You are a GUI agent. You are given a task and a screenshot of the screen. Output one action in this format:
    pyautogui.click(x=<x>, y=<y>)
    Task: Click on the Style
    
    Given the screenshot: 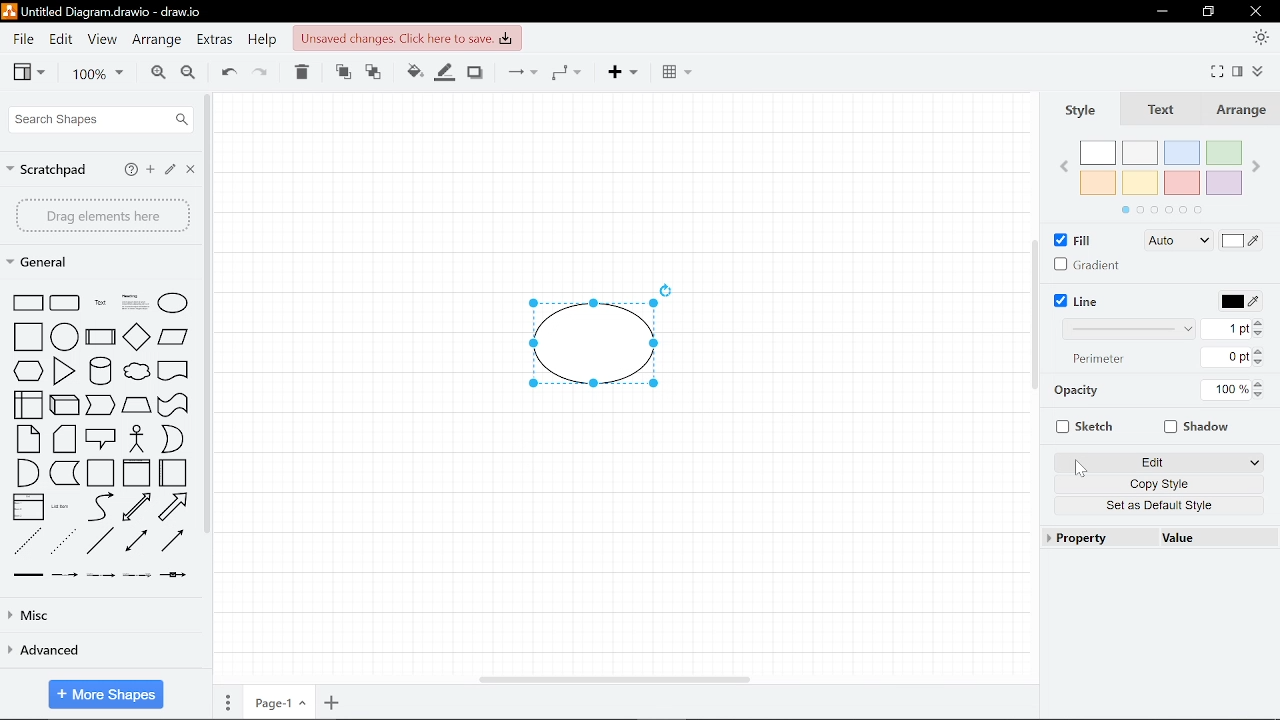 What is the action you would take?
    pyautogui.click(x=1080, y=110)
    